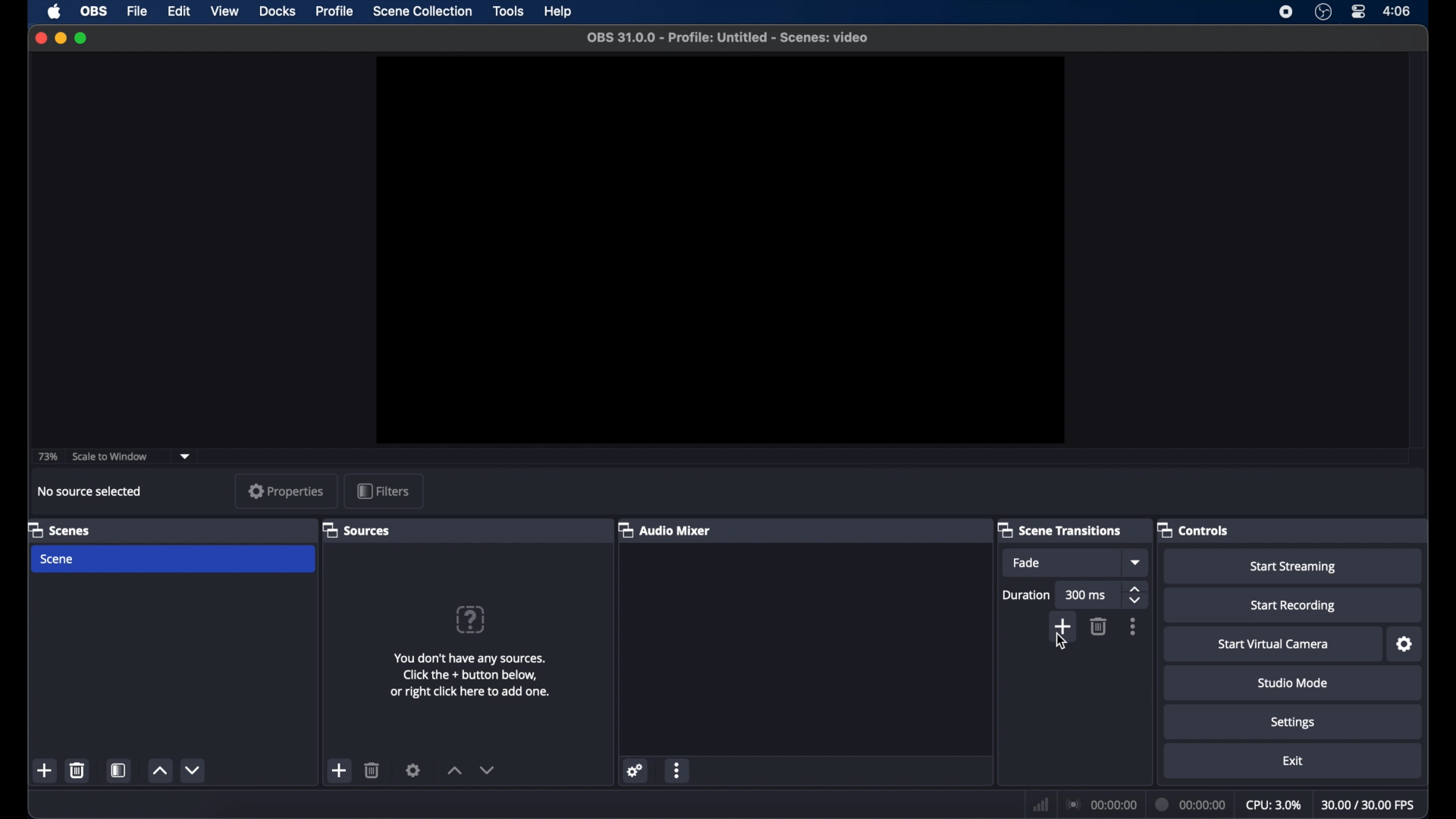 This screenshot has width=1456, height=819. Describe the element at coordinates (560, 12) in the screenshot. I see `help` at that location.